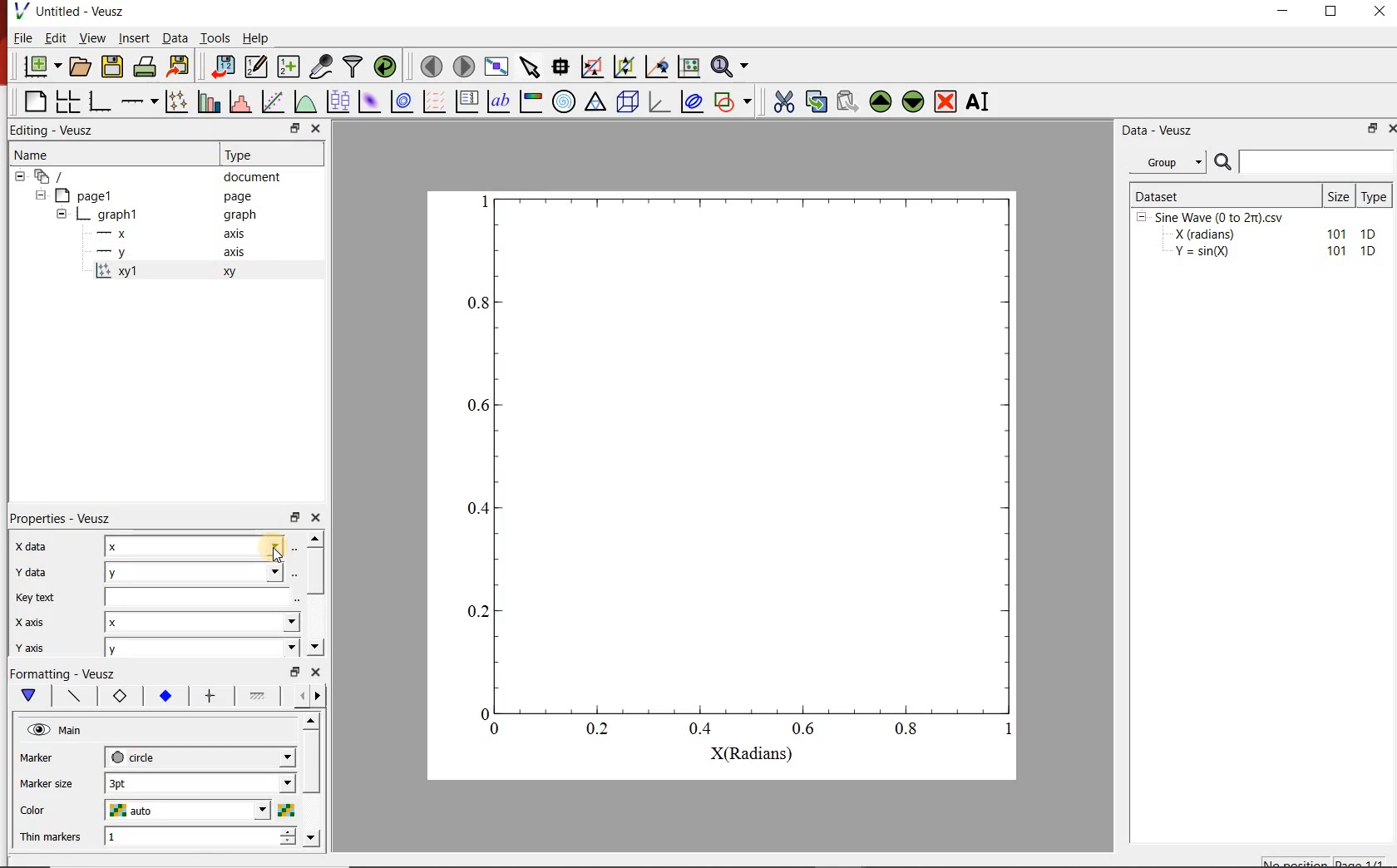 This screenshot has width=1397, height=868. Describe the element at coordinates (200, 811) in the screenshot. I see `auto` at that location.